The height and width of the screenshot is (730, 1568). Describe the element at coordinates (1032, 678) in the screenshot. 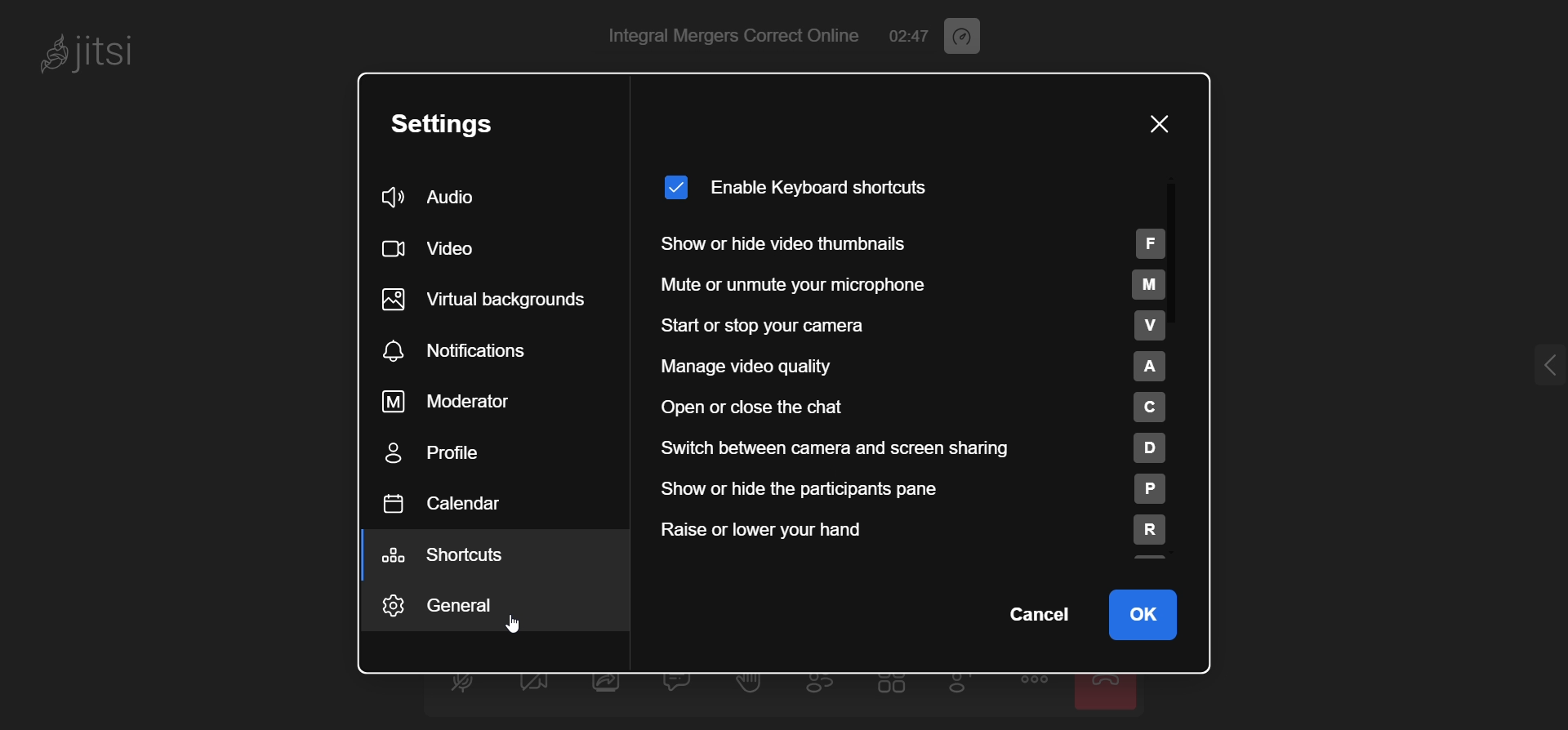

I see `more options` at that location.